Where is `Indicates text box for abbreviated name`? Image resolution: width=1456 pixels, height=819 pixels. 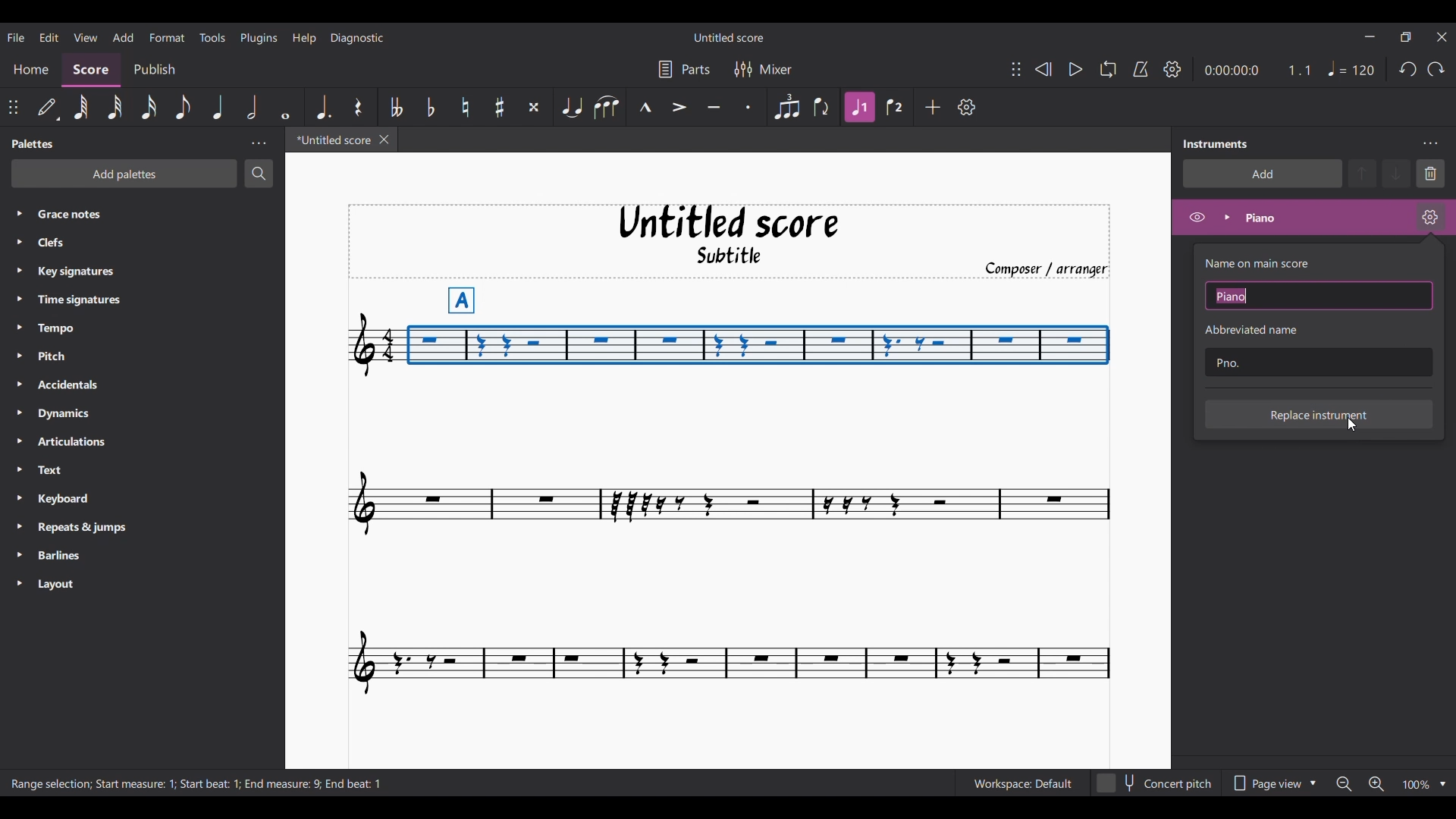 Indicates text box for abbreviated name is located at coordinates (1251, 330).